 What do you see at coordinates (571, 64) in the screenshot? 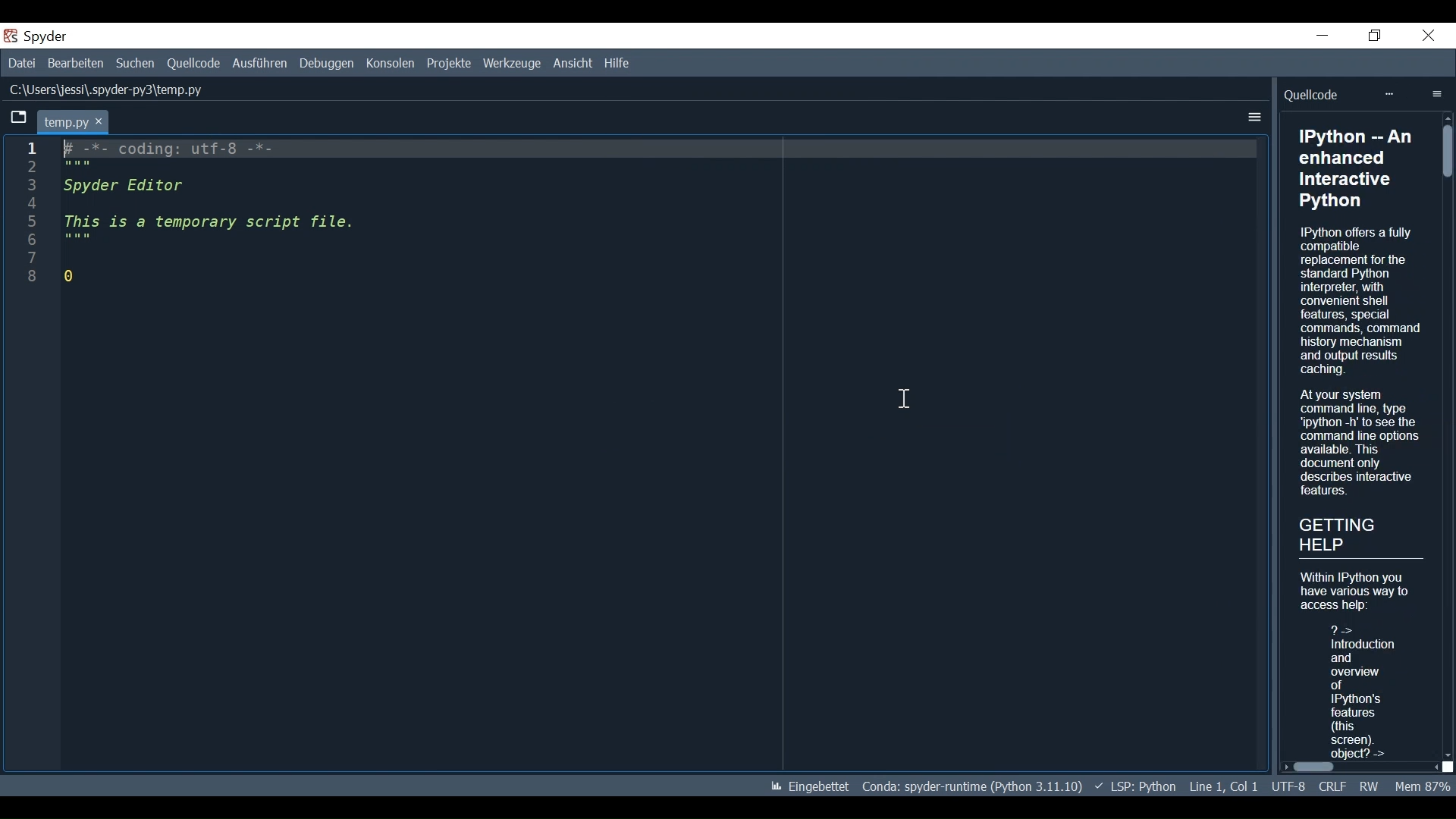
I see `View` at bounding box center [571, 64].